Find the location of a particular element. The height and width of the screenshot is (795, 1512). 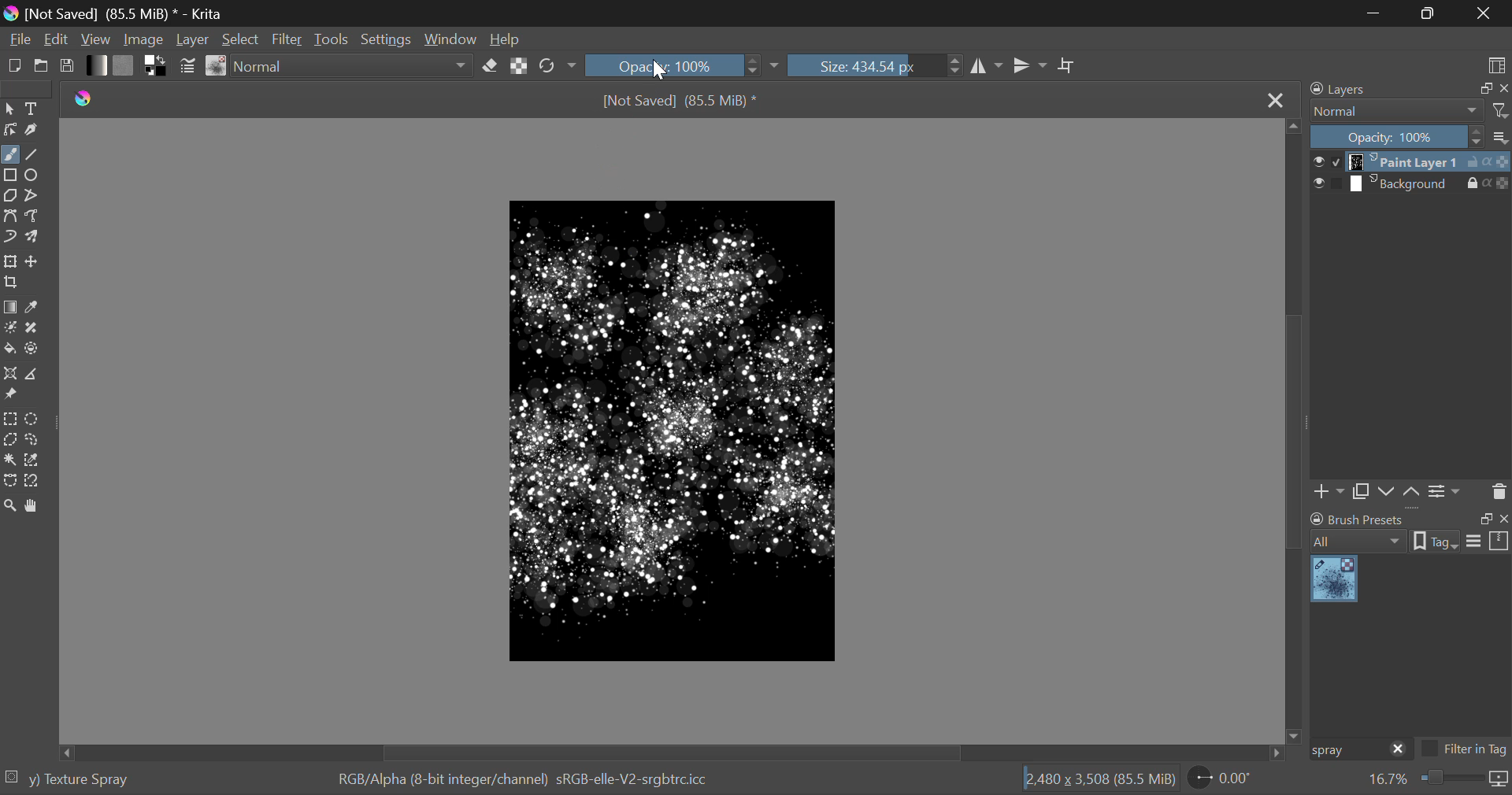

Gradient Fill is located at coordinates (11, 308).